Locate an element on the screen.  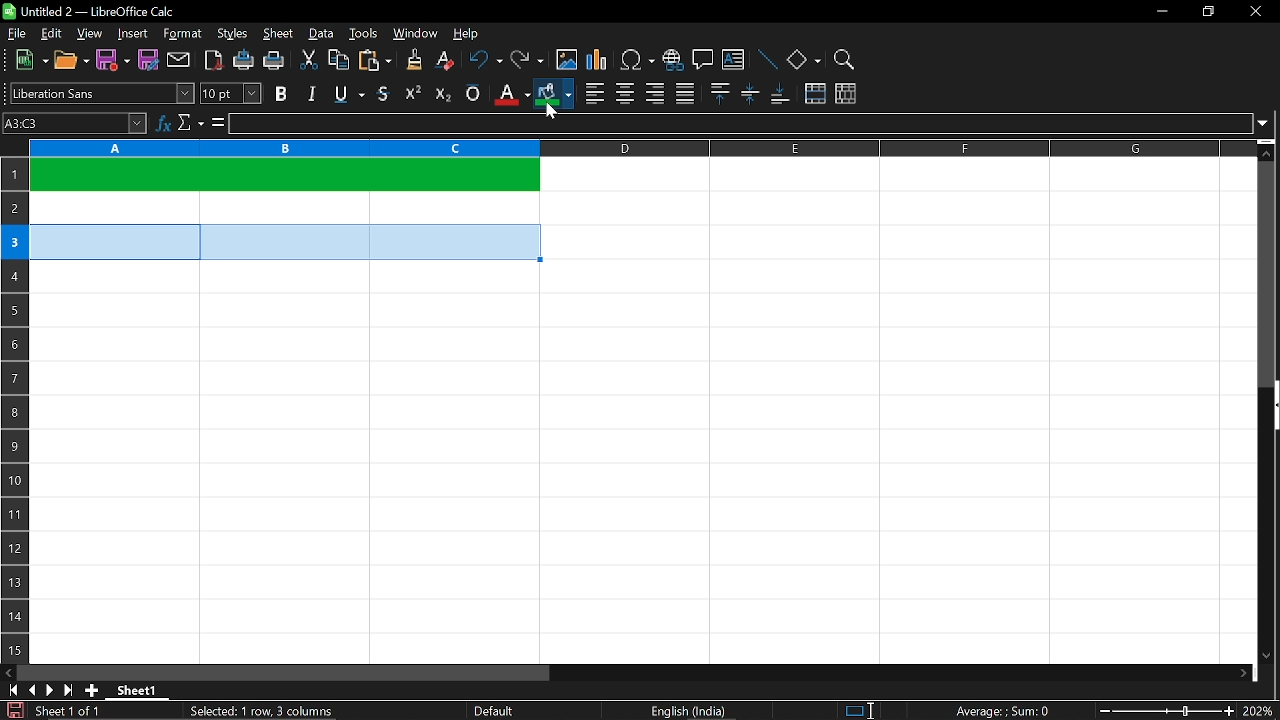
window is located at coordinates (415, 34).